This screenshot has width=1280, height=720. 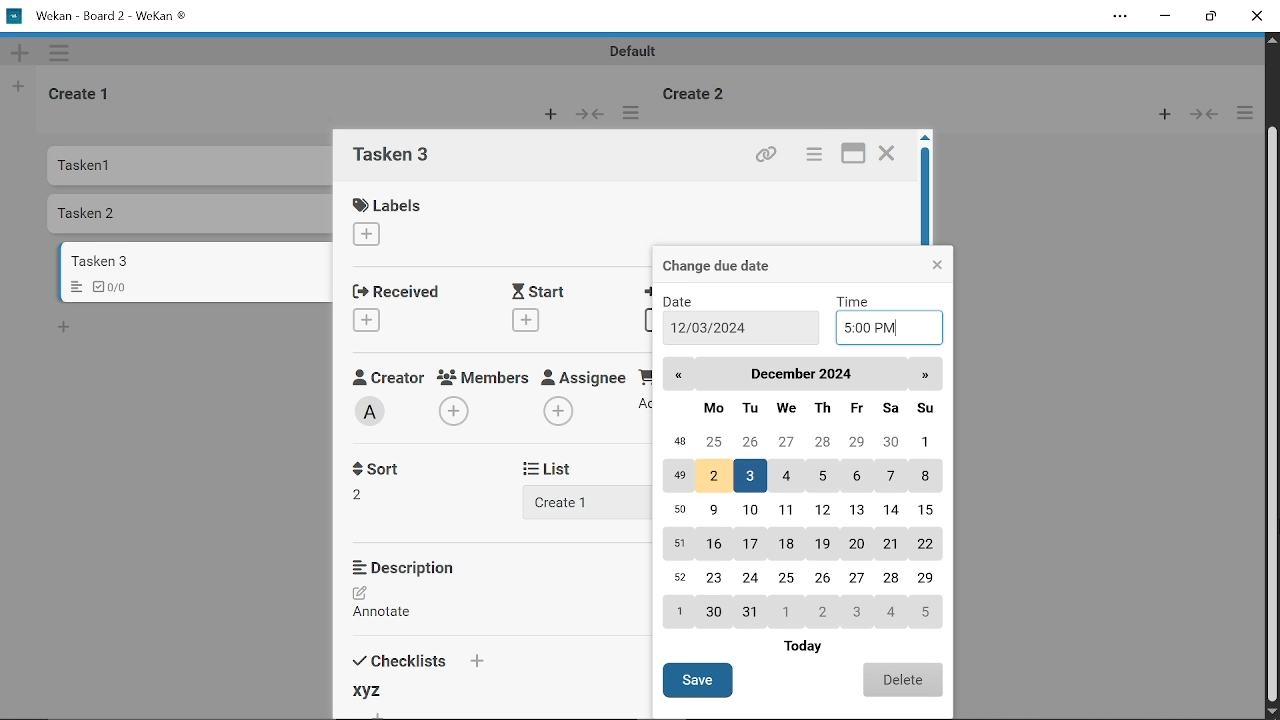 I want to click on Add label, so click(x=376, y=236).